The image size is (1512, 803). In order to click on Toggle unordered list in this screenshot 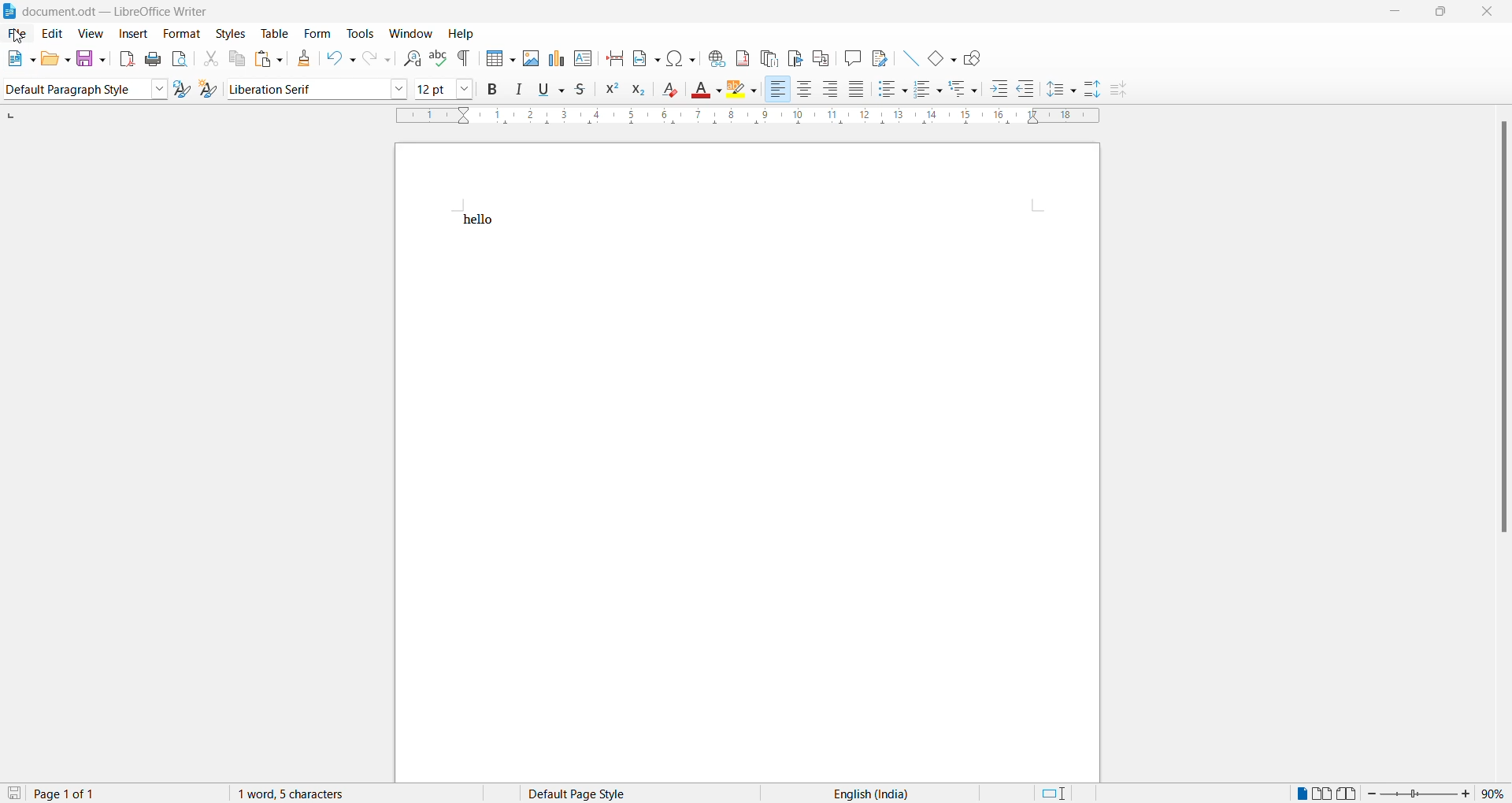, I will do `click(890, 90)`.